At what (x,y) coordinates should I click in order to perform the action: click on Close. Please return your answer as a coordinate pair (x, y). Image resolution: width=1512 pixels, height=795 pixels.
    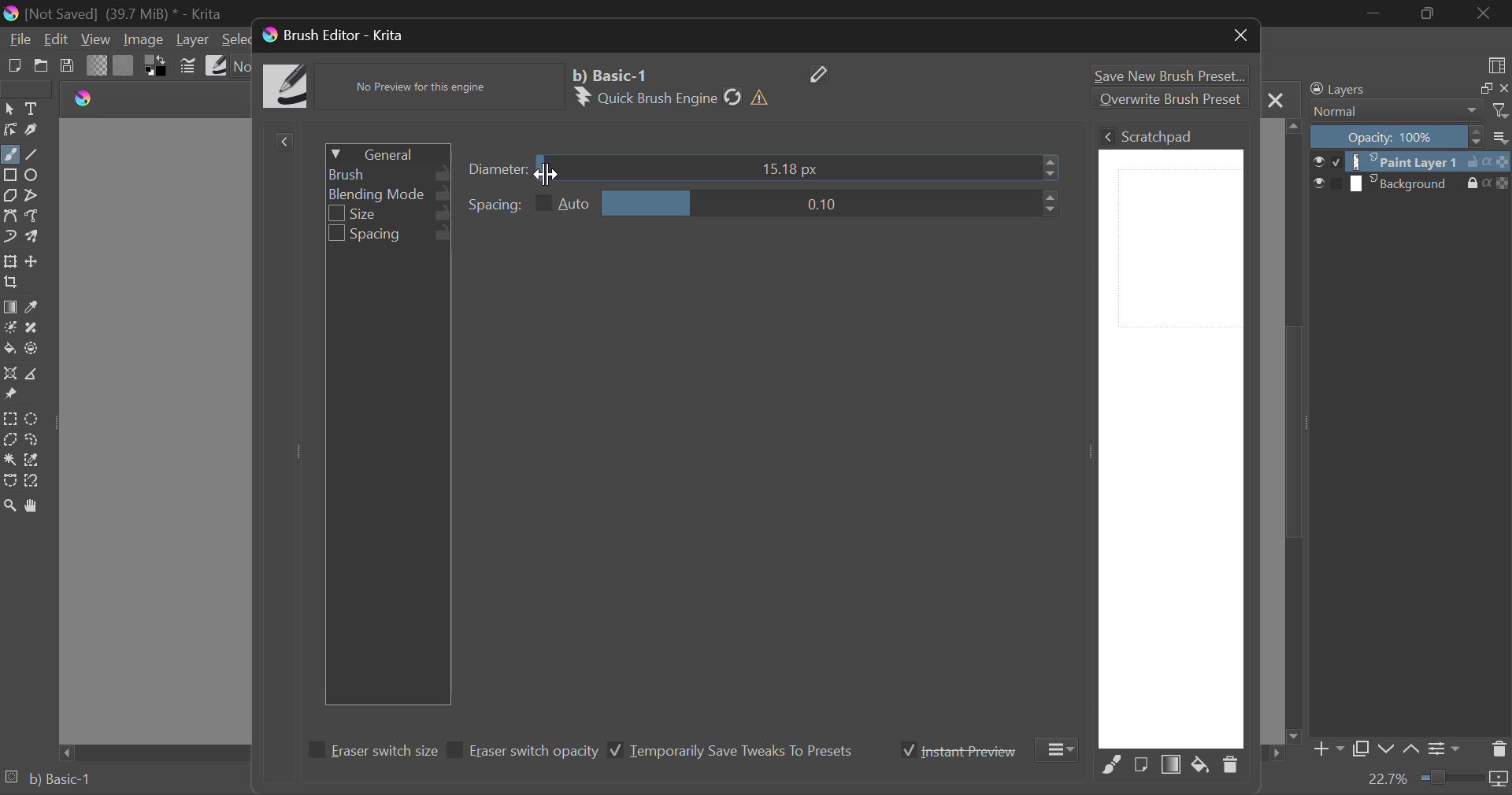
    Looking at the image, I should click on (1276, 99).